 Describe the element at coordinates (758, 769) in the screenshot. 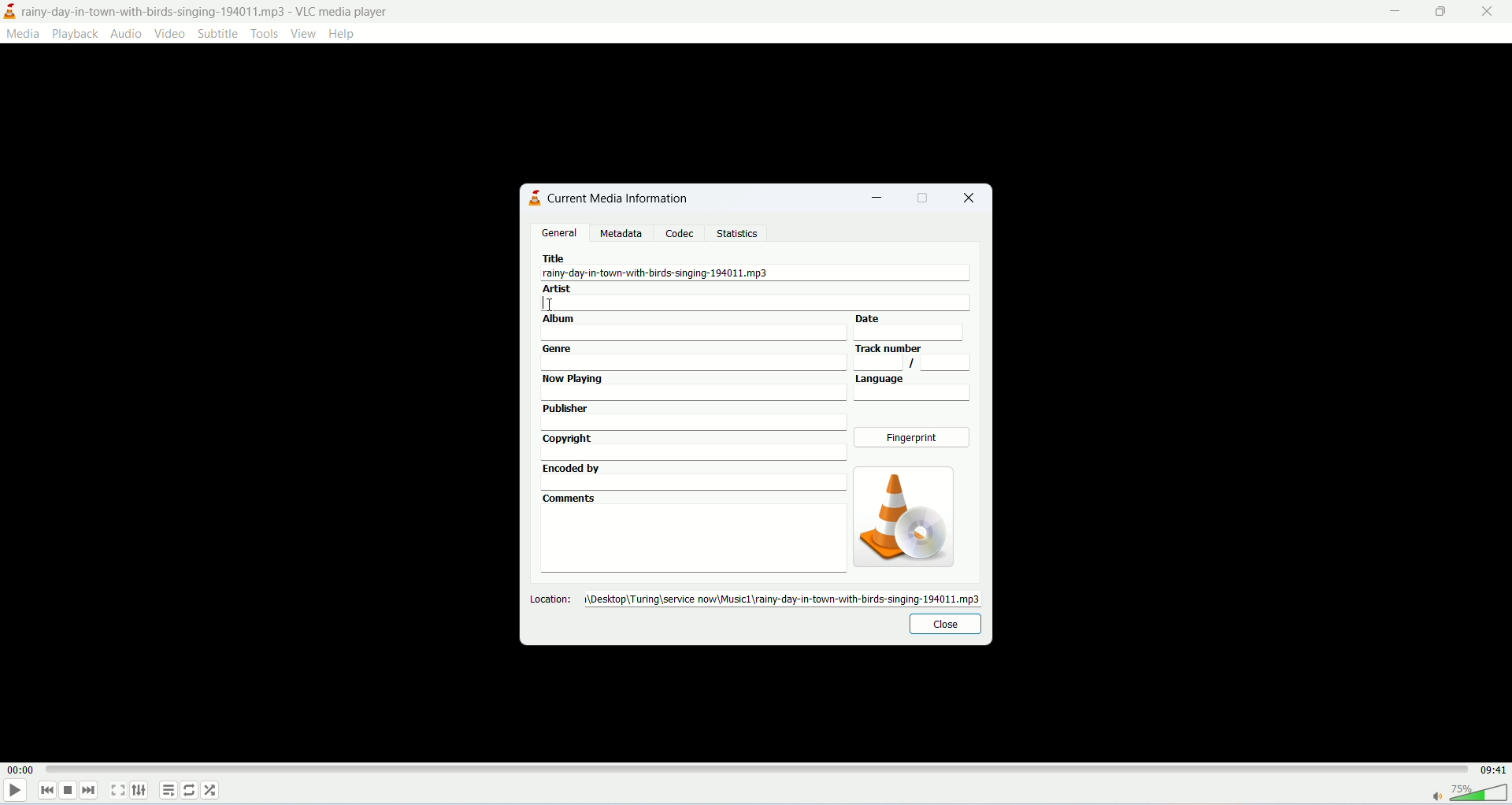

I see `progress bar` at that location.